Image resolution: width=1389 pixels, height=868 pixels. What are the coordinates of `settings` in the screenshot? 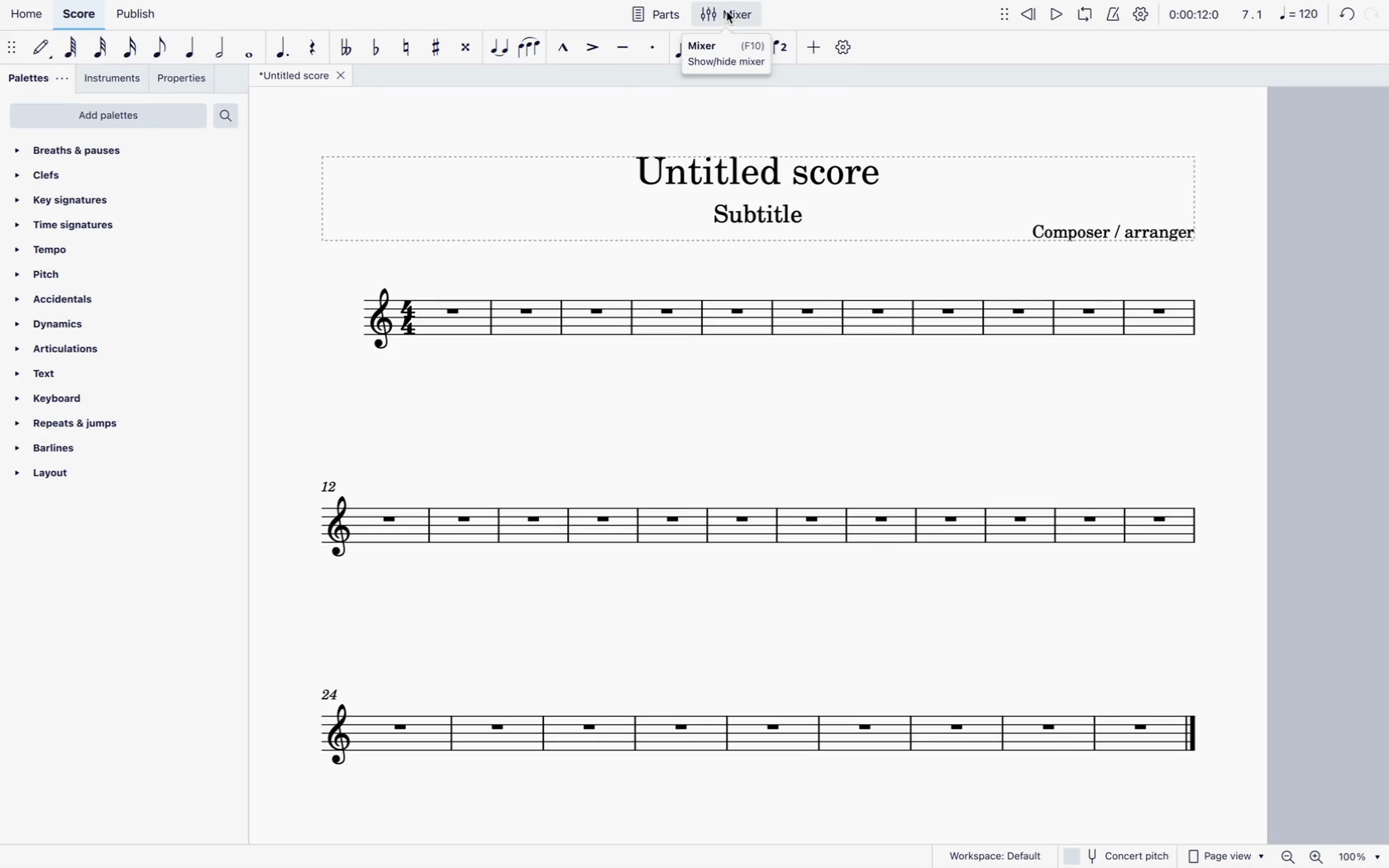 It's located at (845, 48).